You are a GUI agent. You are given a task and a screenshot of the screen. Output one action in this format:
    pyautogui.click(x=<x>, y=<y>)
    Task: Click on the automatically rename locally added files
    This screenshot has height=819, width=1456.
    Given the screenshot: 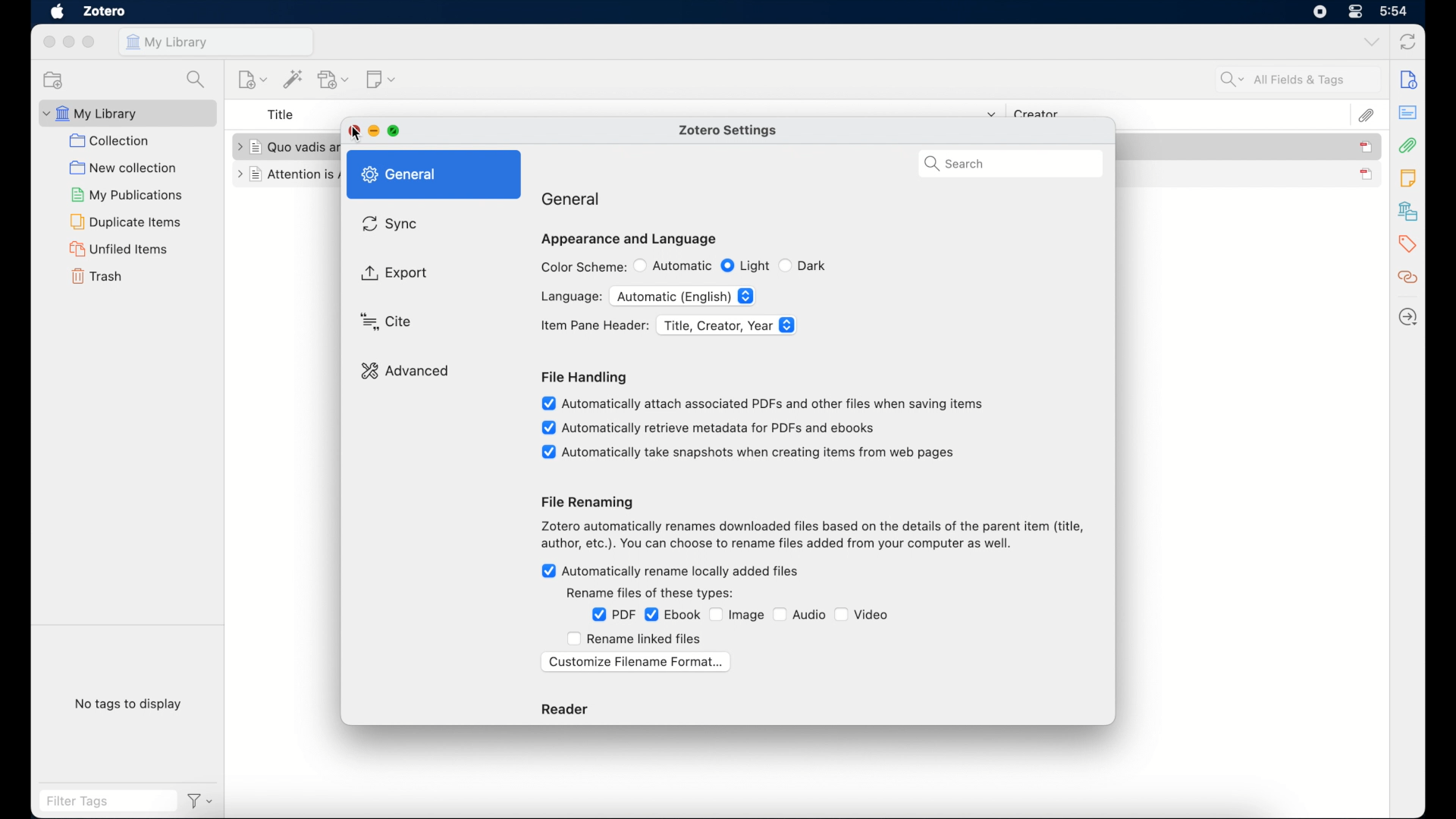 What is the action you would take?
    pyautogui.click(x=670, y=570)
    